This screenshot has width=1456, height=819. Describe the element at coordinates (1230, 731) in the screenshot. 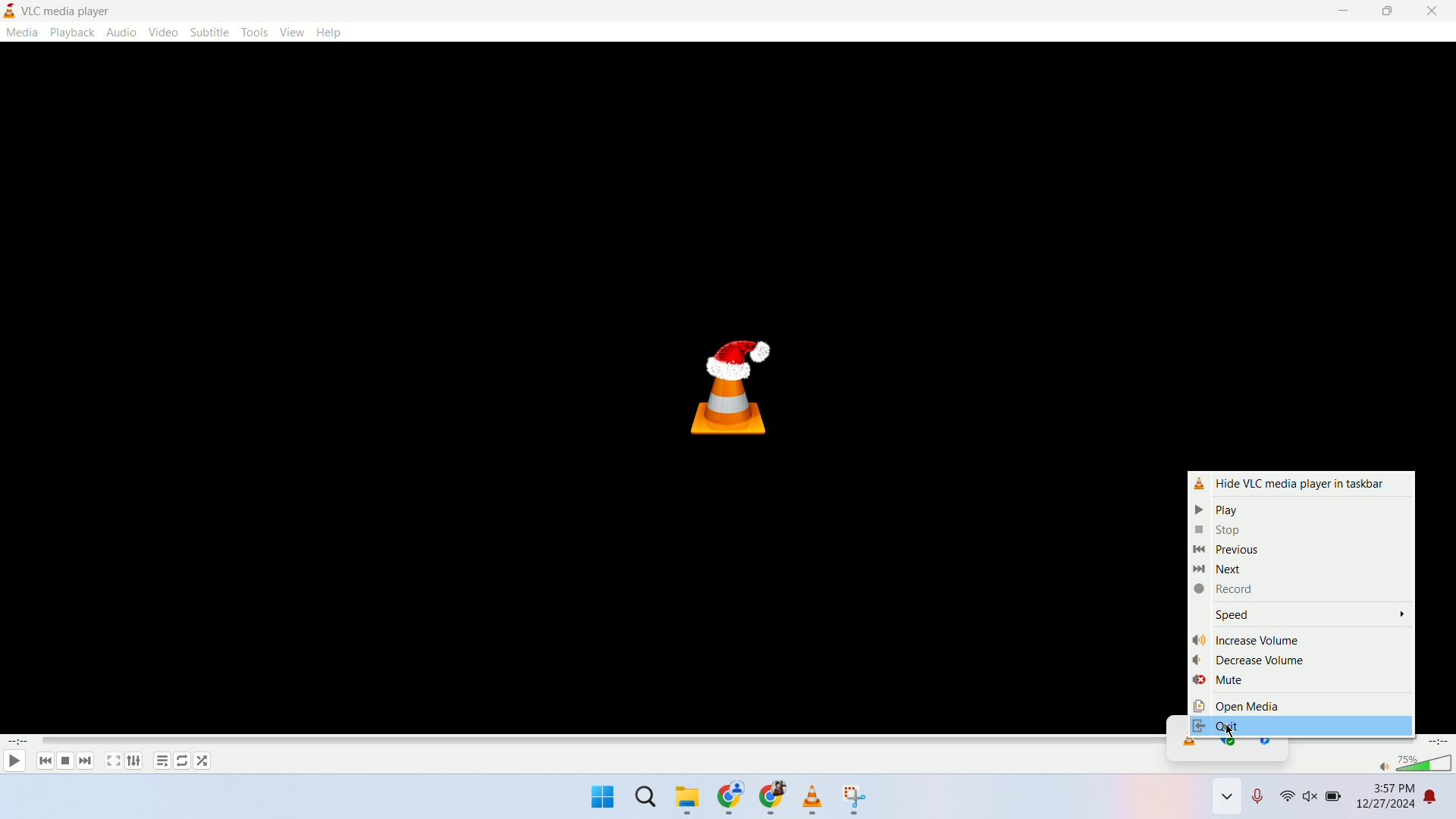

I see `mouse cursor` at that location.